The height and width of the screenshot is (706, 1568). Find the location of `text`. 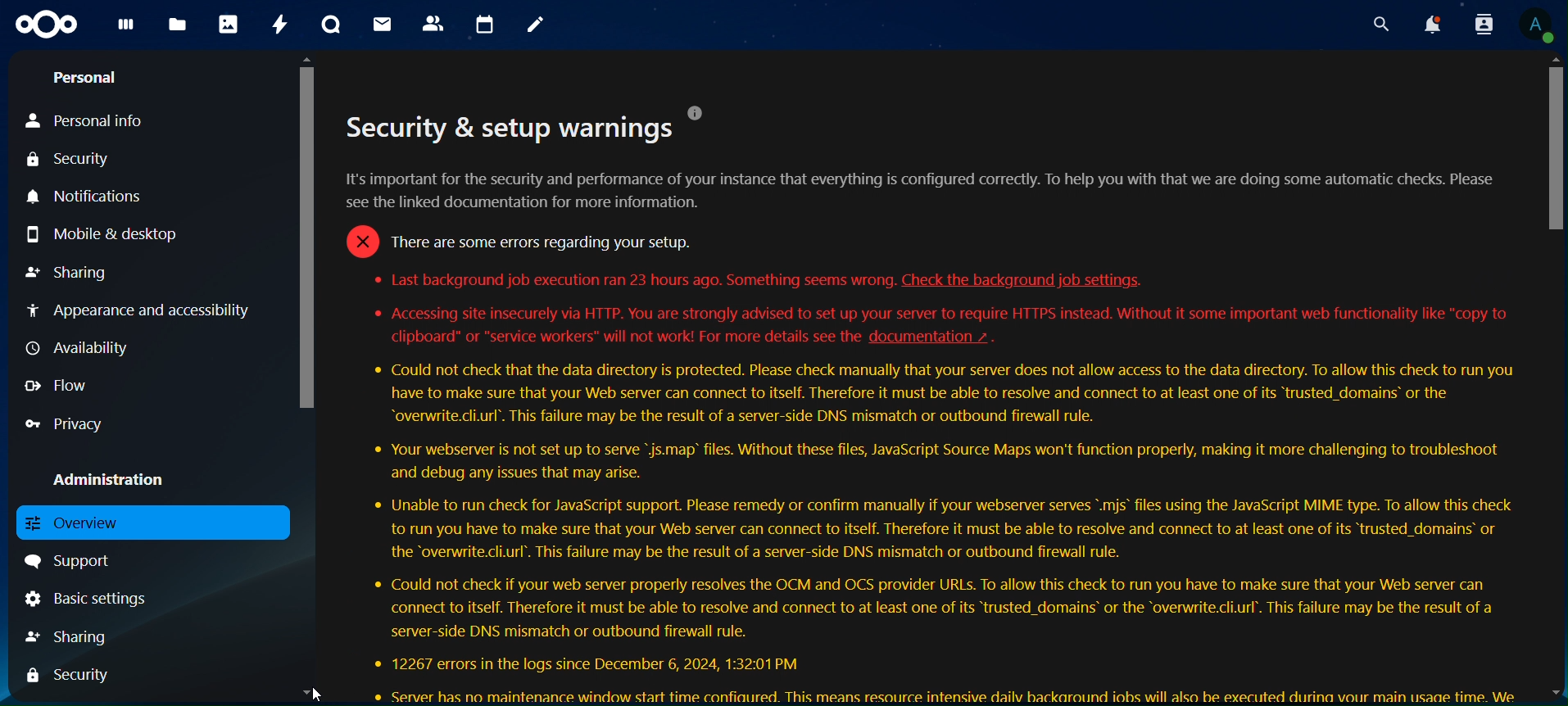

text is located at coordinates (510, 128).